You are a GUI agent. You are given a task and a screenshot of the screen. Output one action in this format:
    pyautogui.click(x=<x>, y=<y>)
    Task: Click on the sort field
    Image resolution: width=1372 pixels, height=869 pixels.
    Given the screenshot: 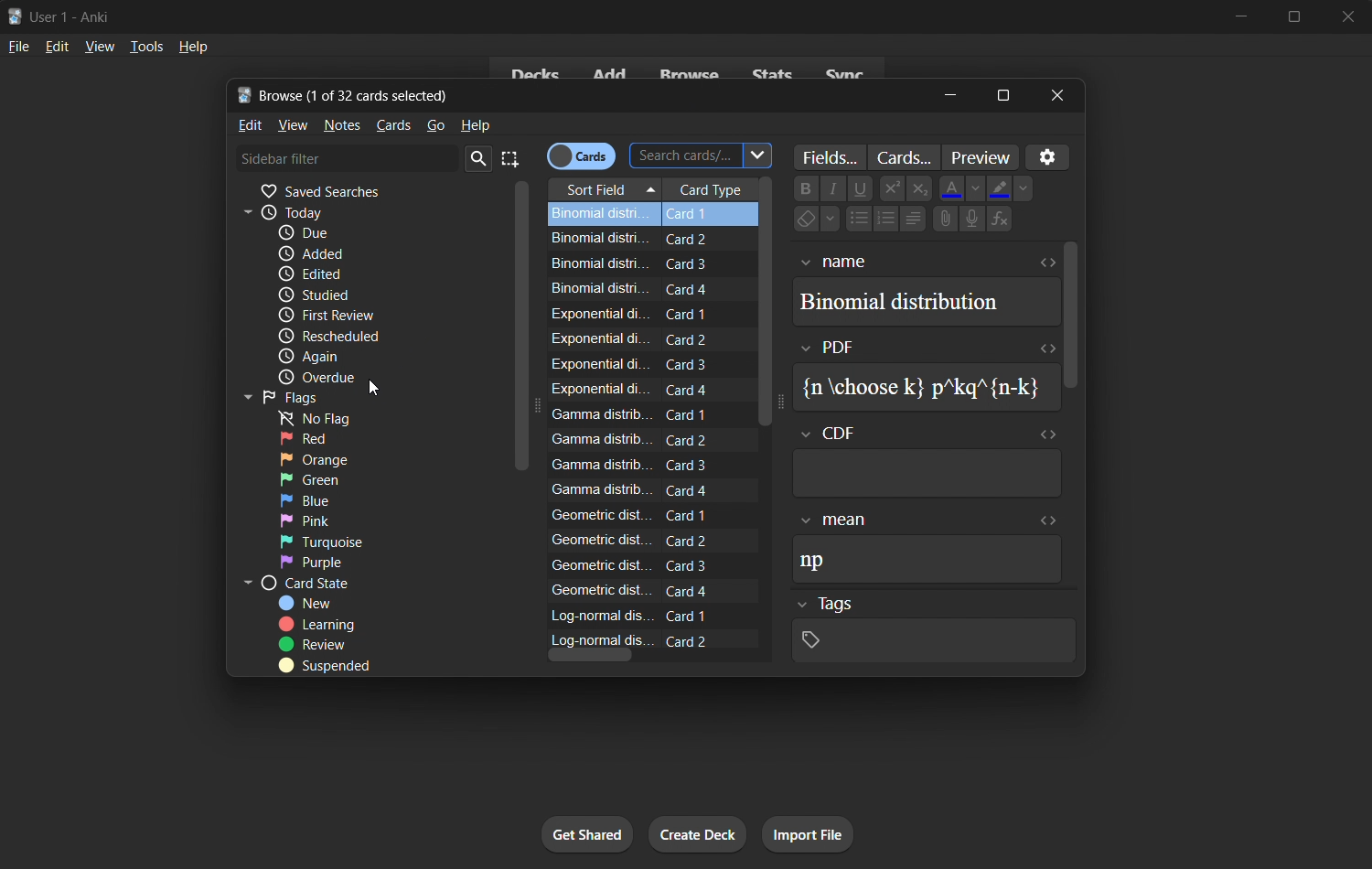 What is the action you would take?
    pyautogui.click(x=592, y=187)
    